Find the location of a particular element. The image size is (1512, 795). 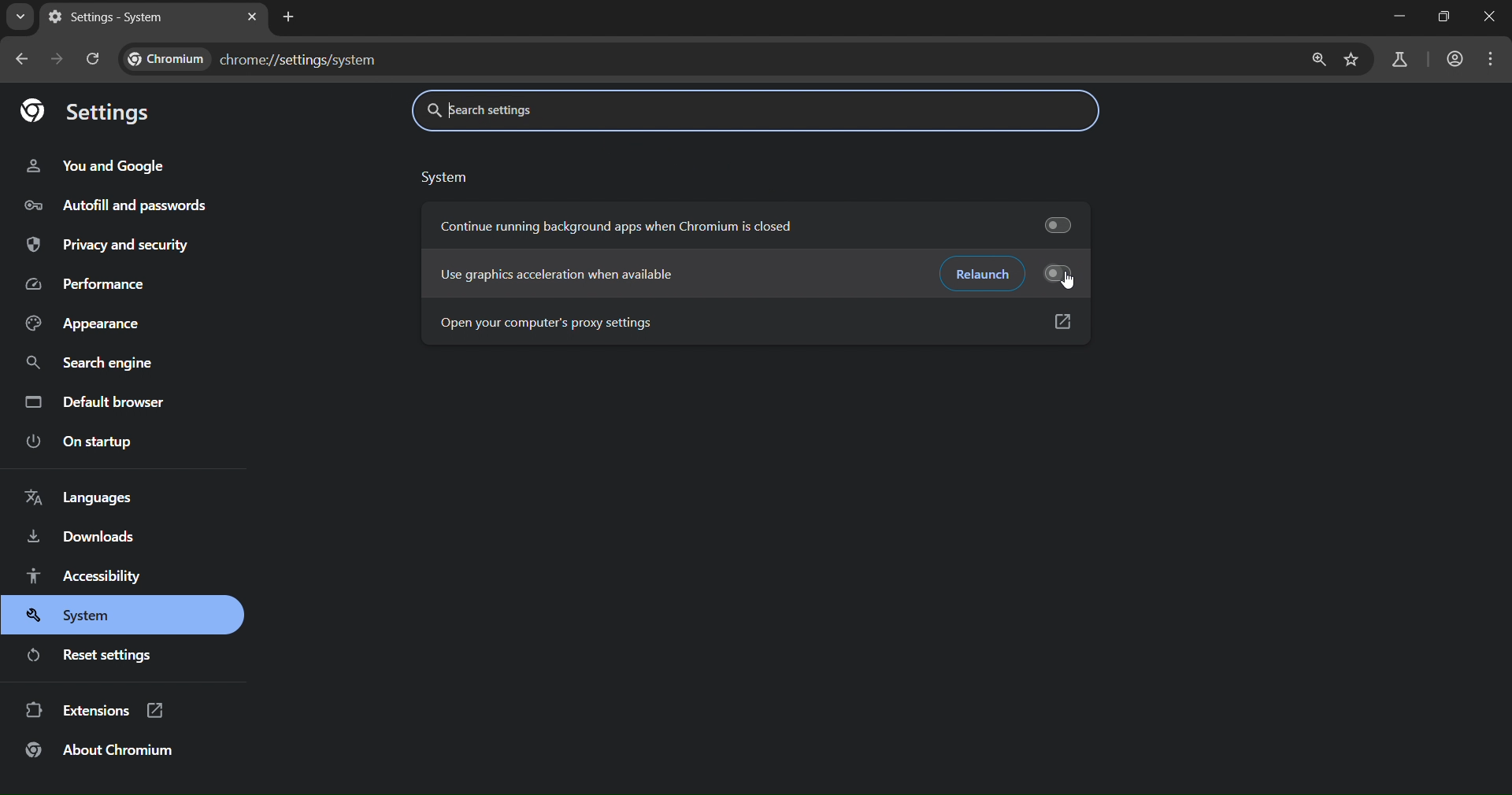

search settings is located at coordinates (600, 111).